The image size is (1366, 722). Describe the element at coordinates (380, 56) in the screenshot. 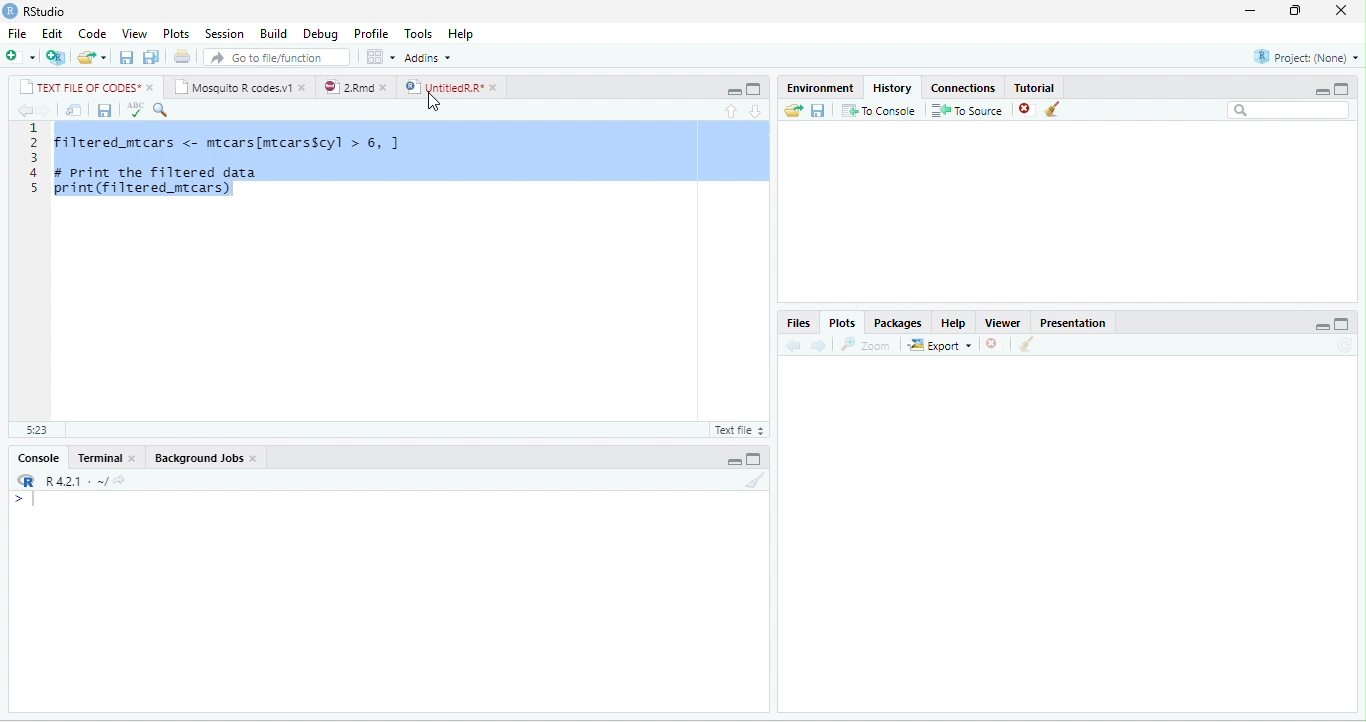

I see `options` at that location.